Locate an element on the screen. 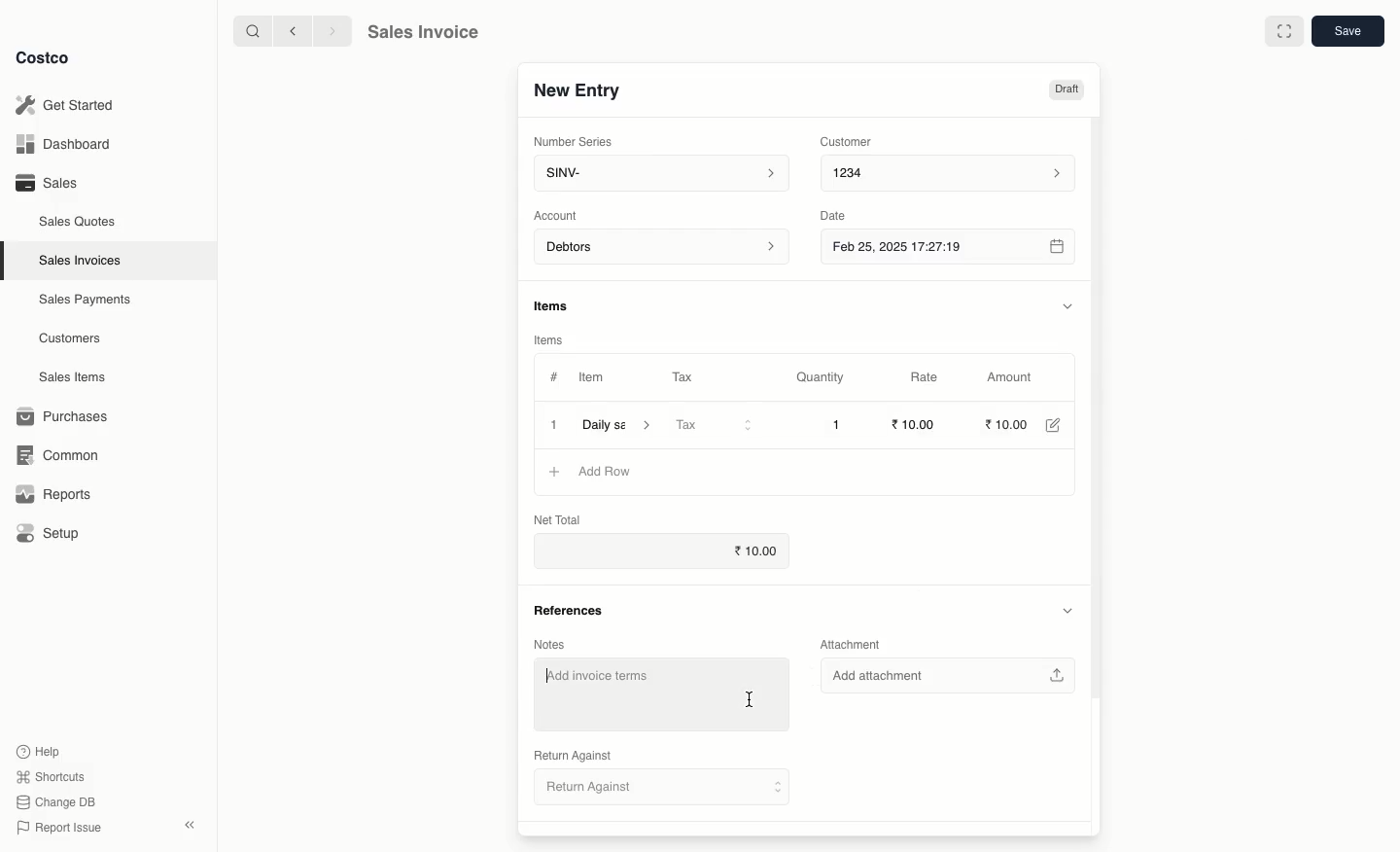 The height and width of the screenshot is (852, 1400). Daily sa is located at coordinates (621, 424).